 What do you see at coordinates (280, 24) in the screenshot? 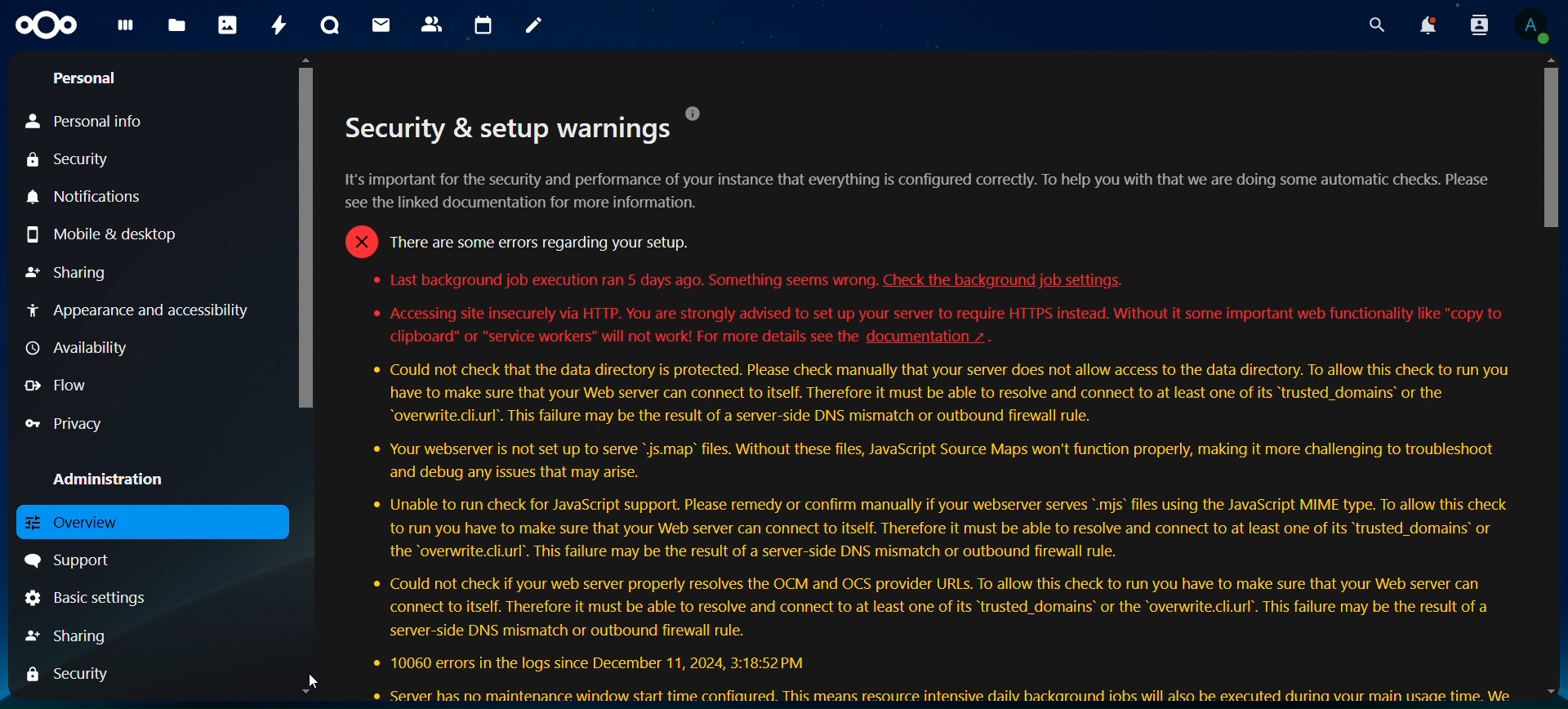
I see `activity` at bounding box center [280, 24].